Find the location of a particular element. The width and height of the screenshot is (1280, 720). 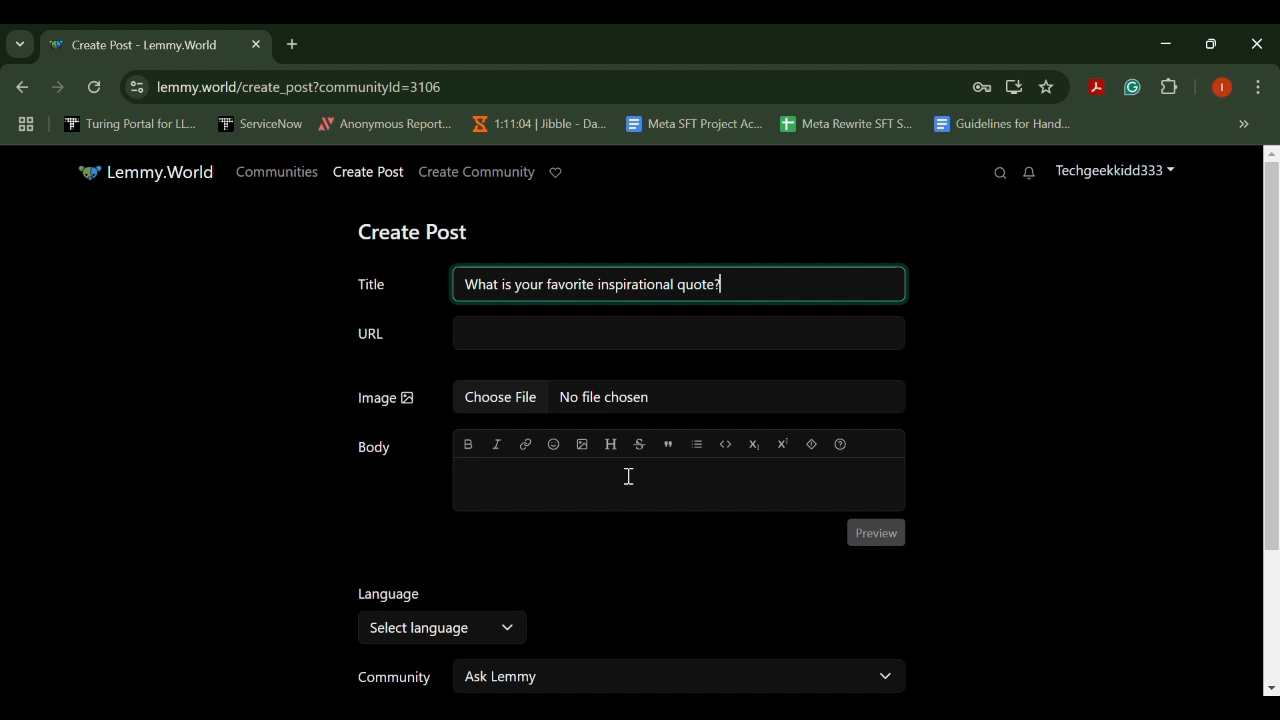

Scroll Bar is located at coordinates (1272, 419).